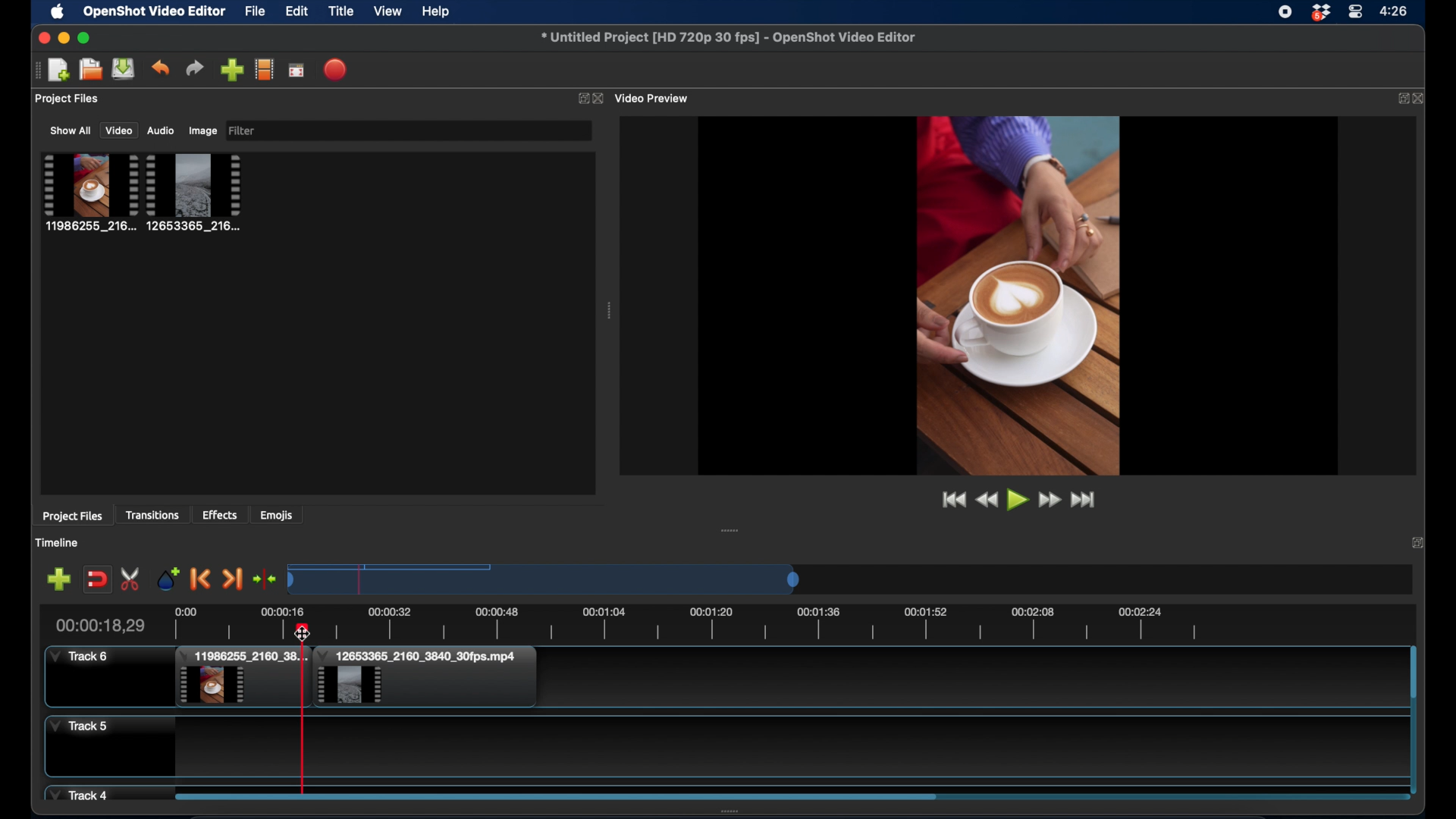 Image resolution: width=1456 pixels, height=819 pixels. What do you see at coordinates (1396, 10) in the screenshot?
I see `time` at bounding box center [1396, 10].